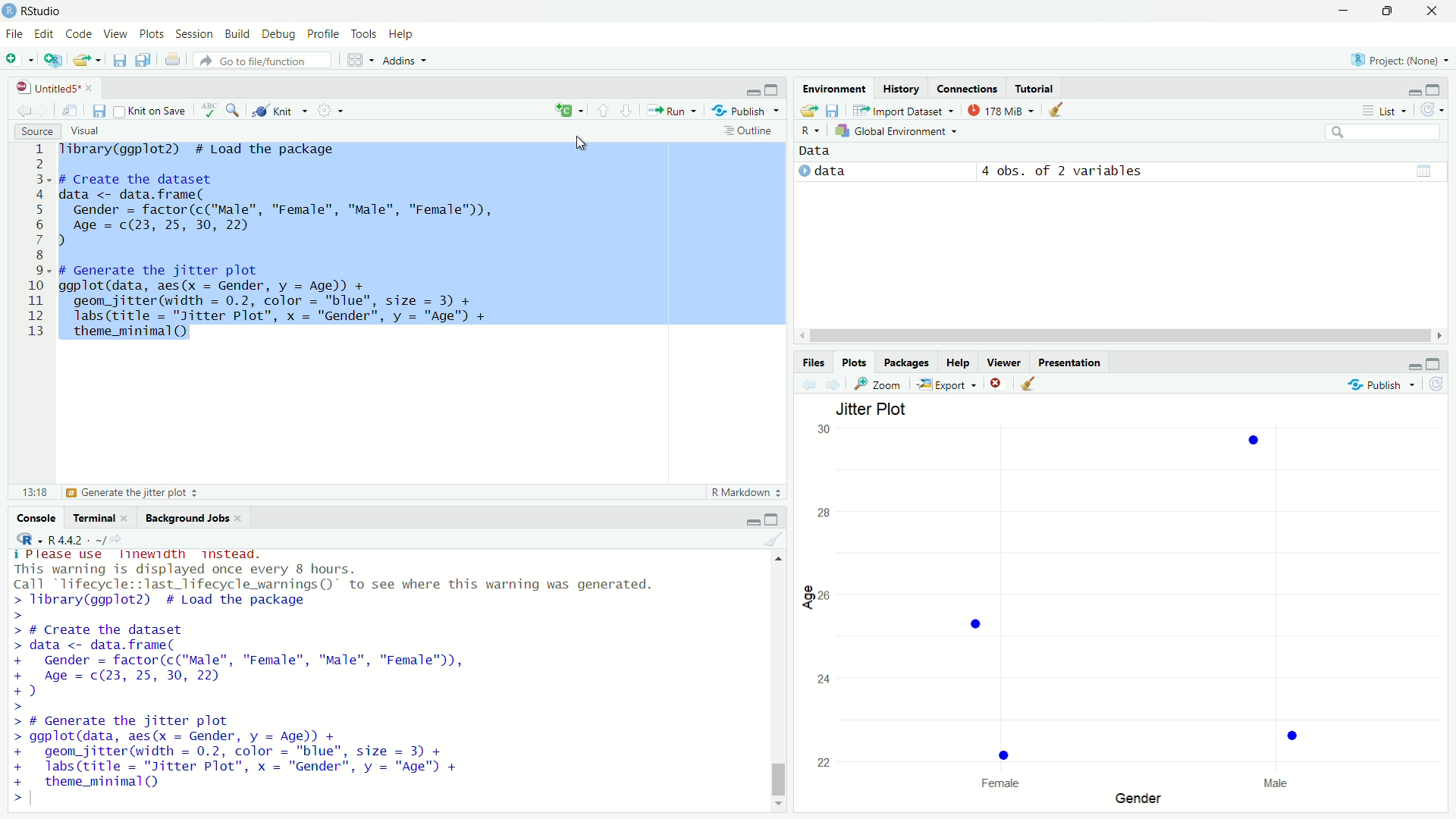  Describe the element at coordinates (1003, 364) in the screenshot. I see `viewer` at that location.